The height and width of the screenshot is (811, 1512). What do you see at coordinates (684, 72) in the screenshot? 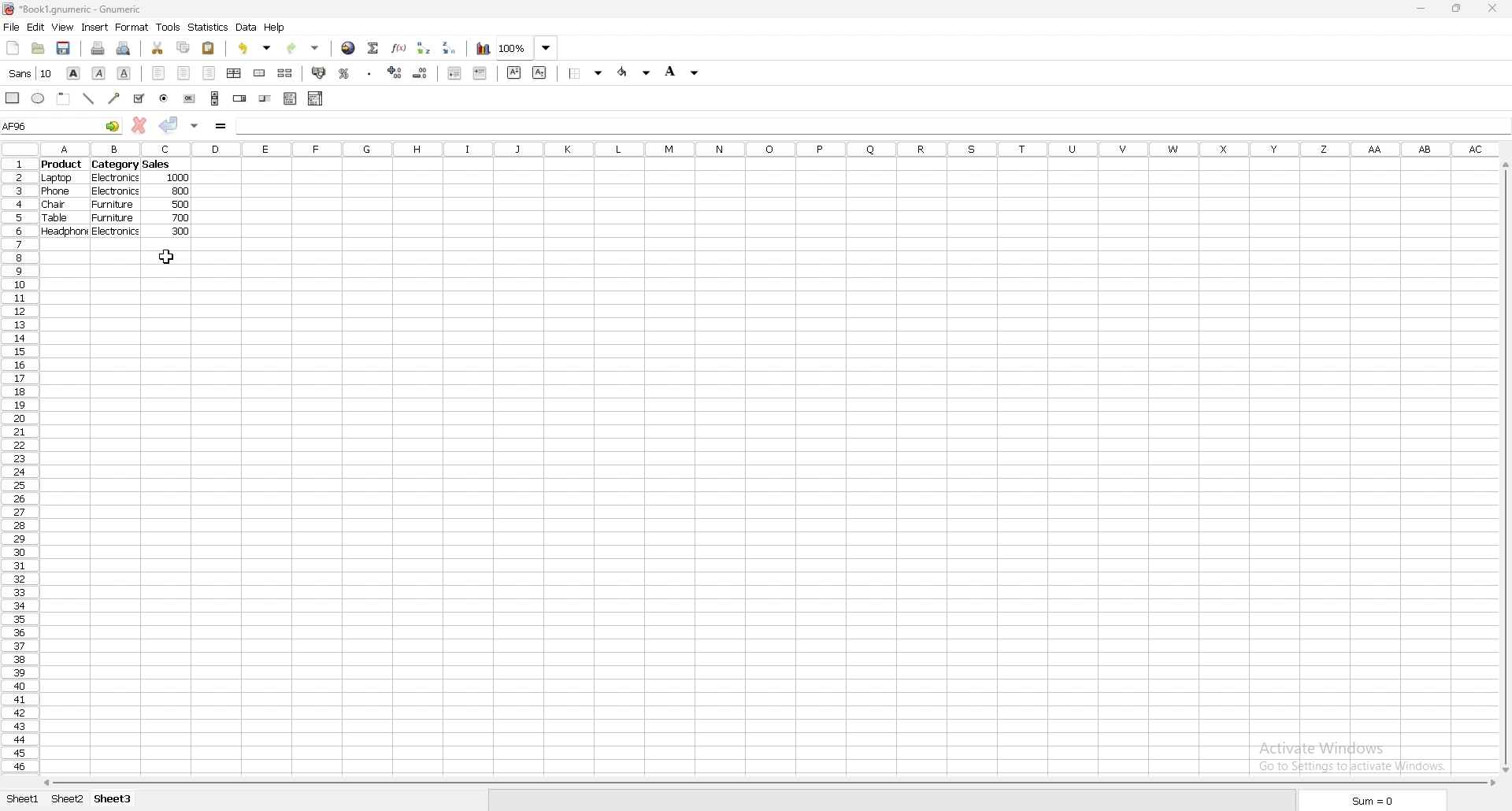
I see `background` at bounding box center [684, 72].